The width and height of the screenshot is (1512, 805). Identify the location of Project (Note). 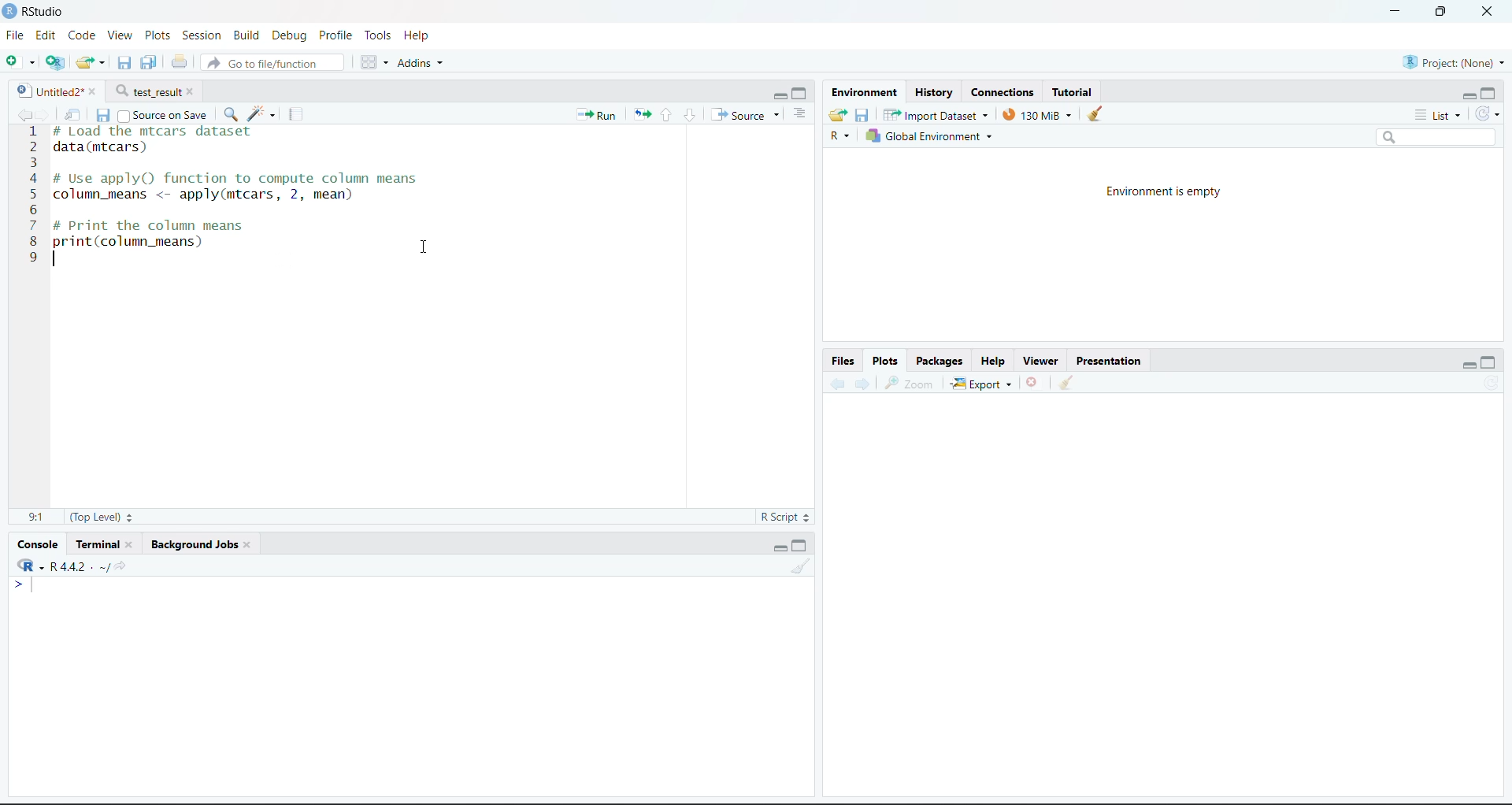
(1451, 61).